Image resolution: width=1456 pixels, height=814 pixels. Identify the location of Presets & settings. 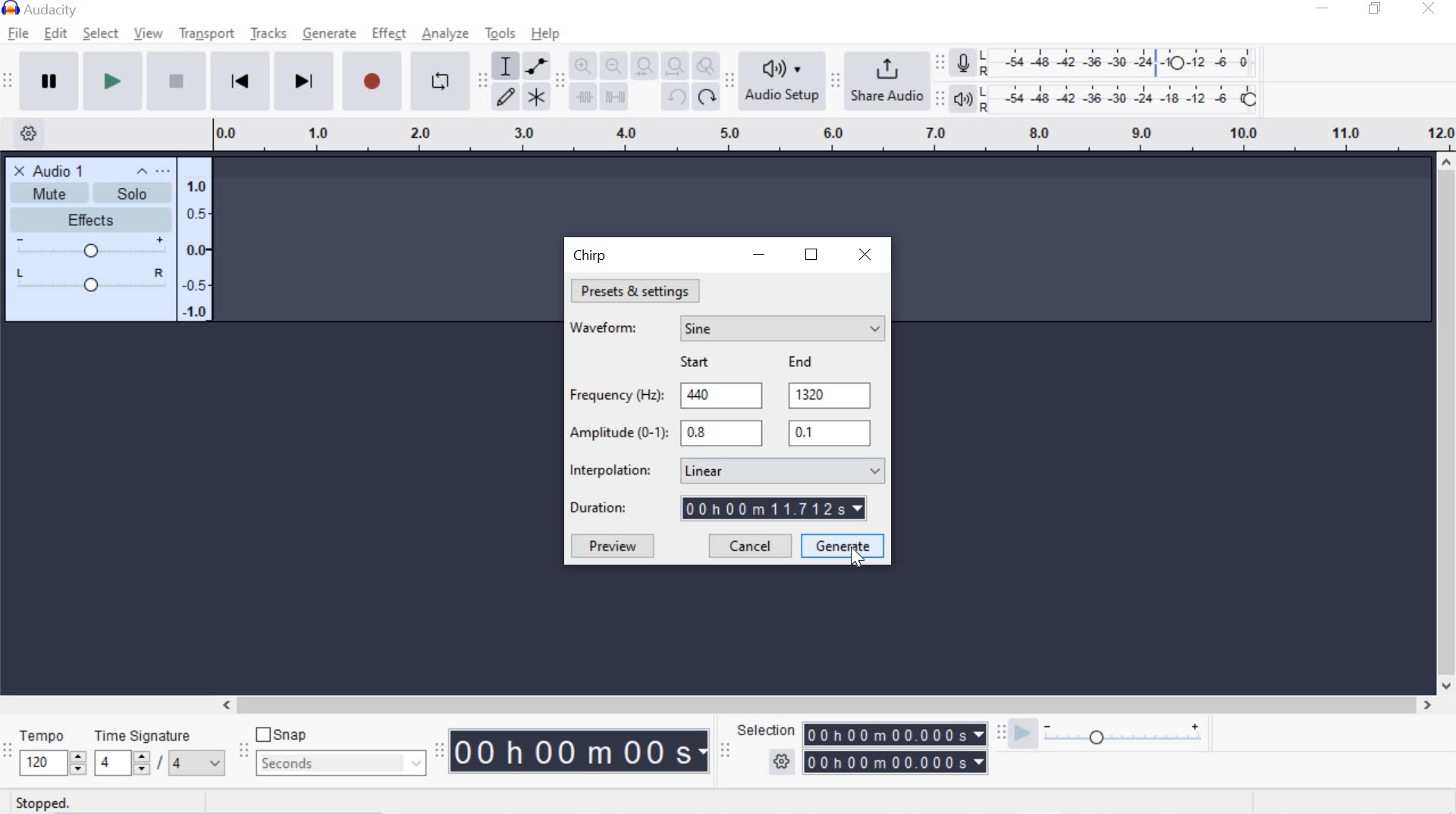
(640, 291).